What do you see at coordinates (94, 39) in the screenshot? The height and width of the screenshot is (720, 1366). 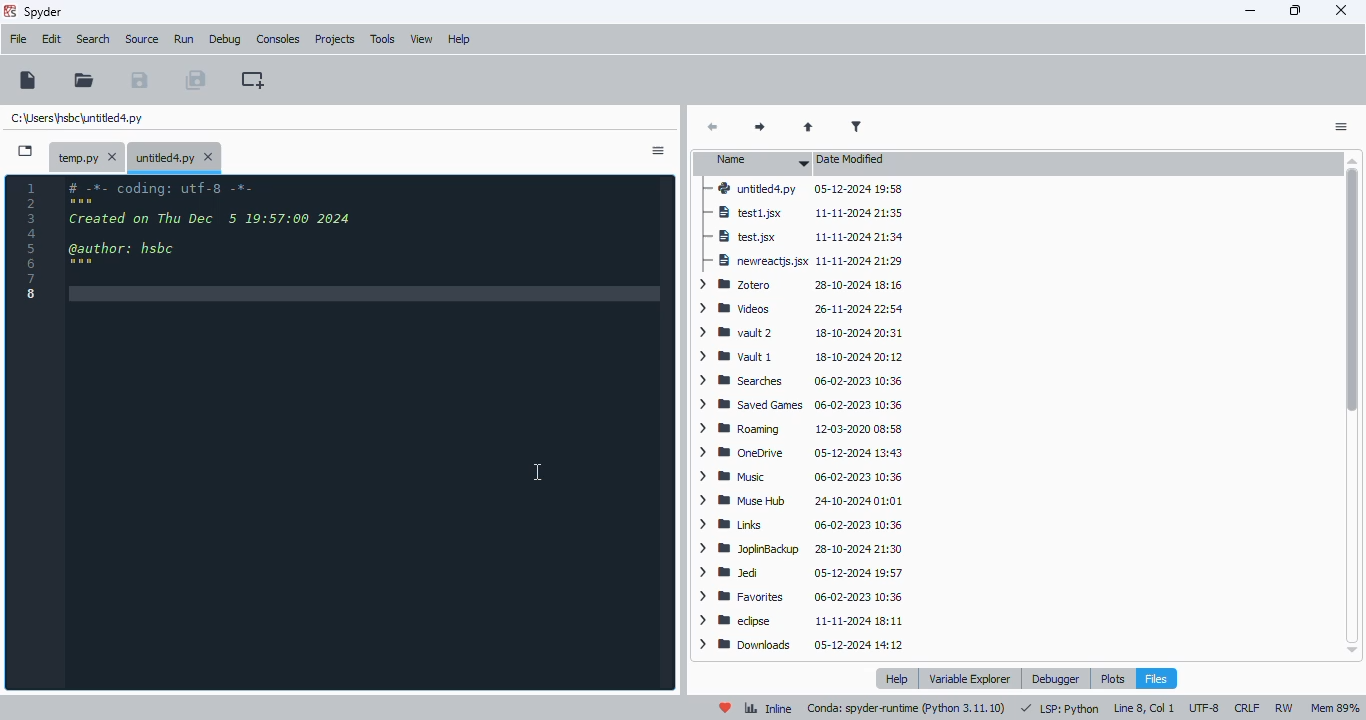 I see `search` at bounding box center [94, 39].